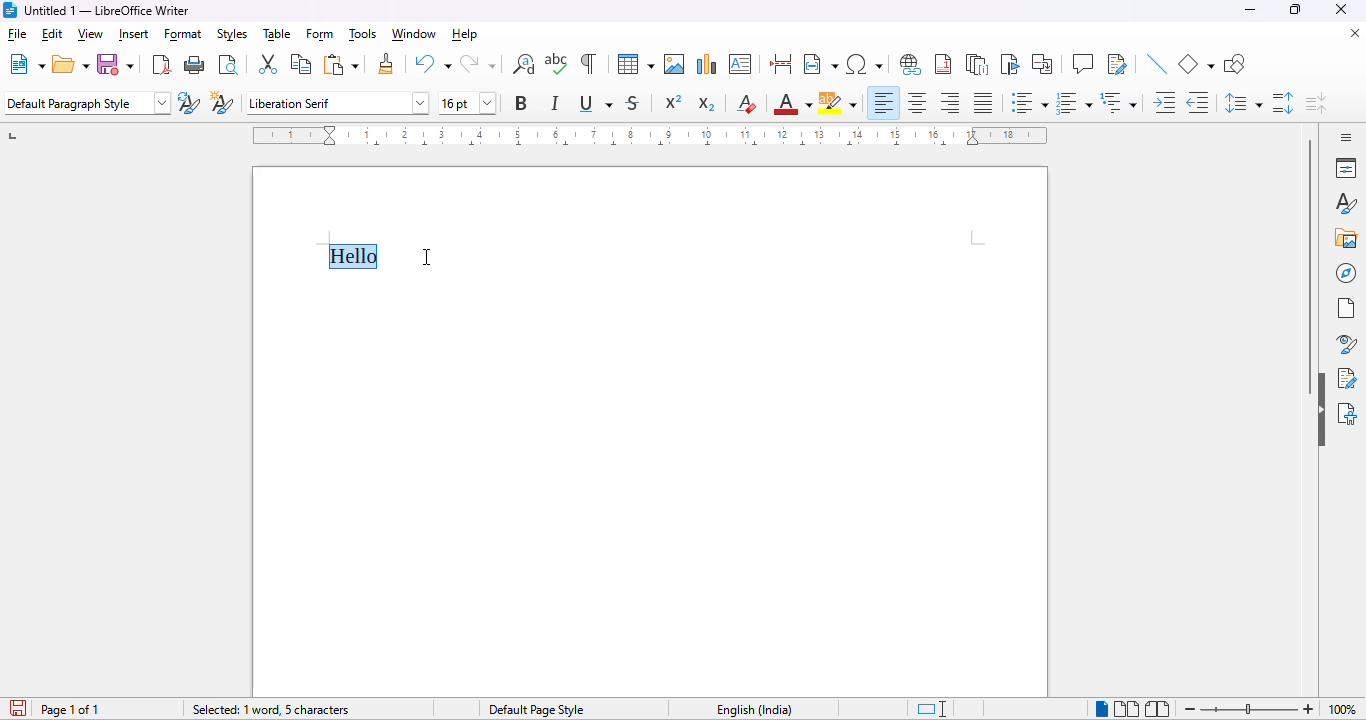 The height and width of the screenshot is (720, 1366). Describe the element at coordinates (480, 64) in the screenshot. I see `redo` at that location.